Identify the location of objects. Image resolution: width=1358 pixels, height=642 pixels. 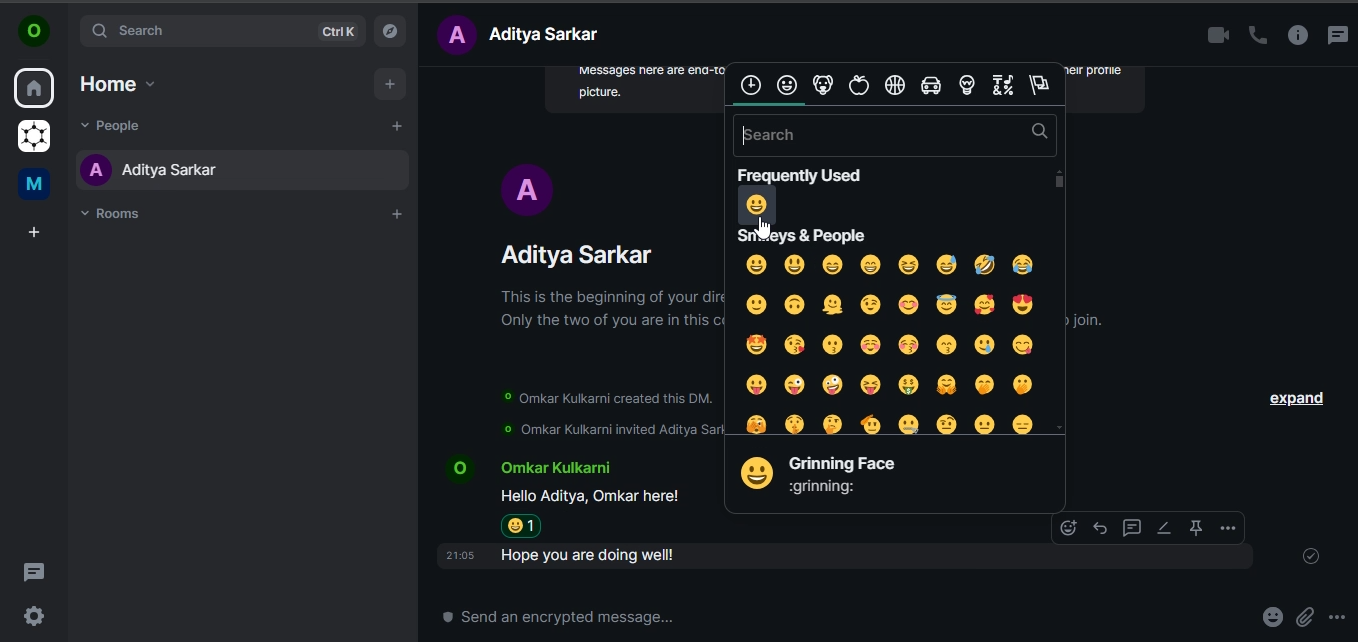
(971, 86).